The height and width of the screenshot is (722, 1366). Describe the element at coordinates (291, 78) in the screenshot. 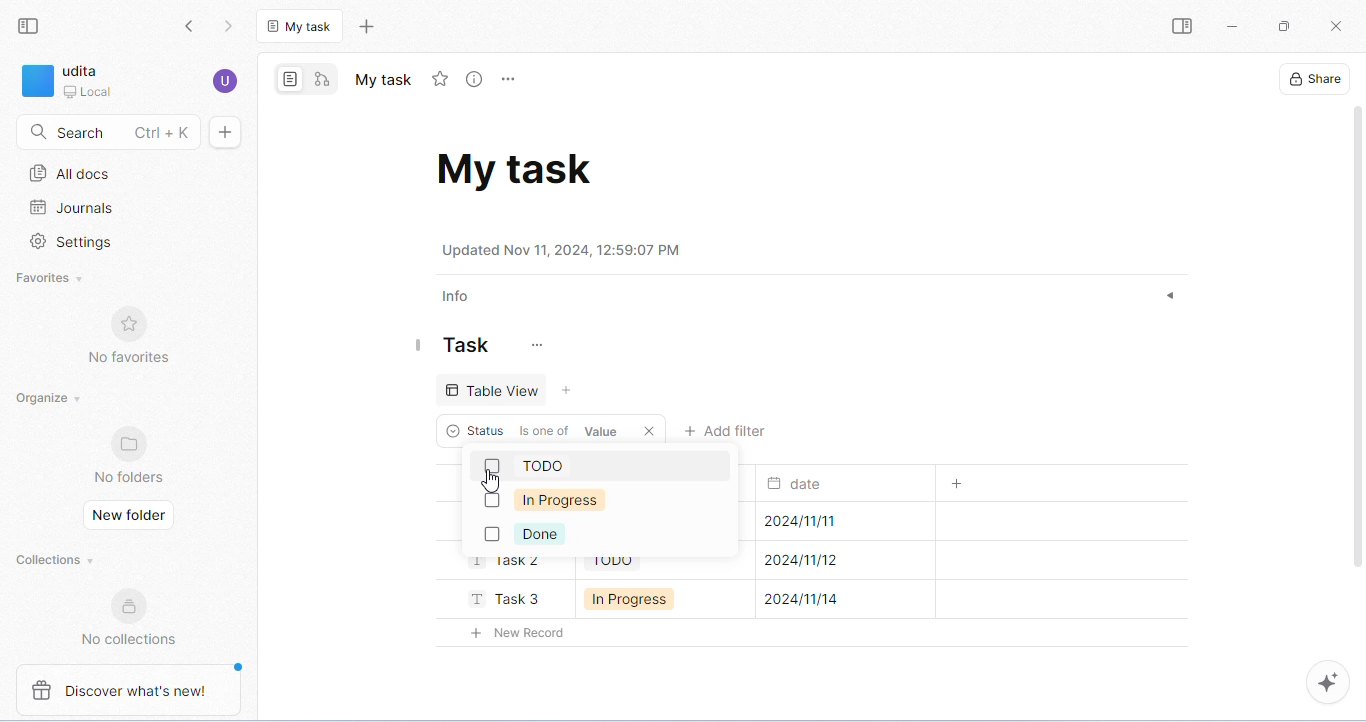

I see `page mode` at that location.